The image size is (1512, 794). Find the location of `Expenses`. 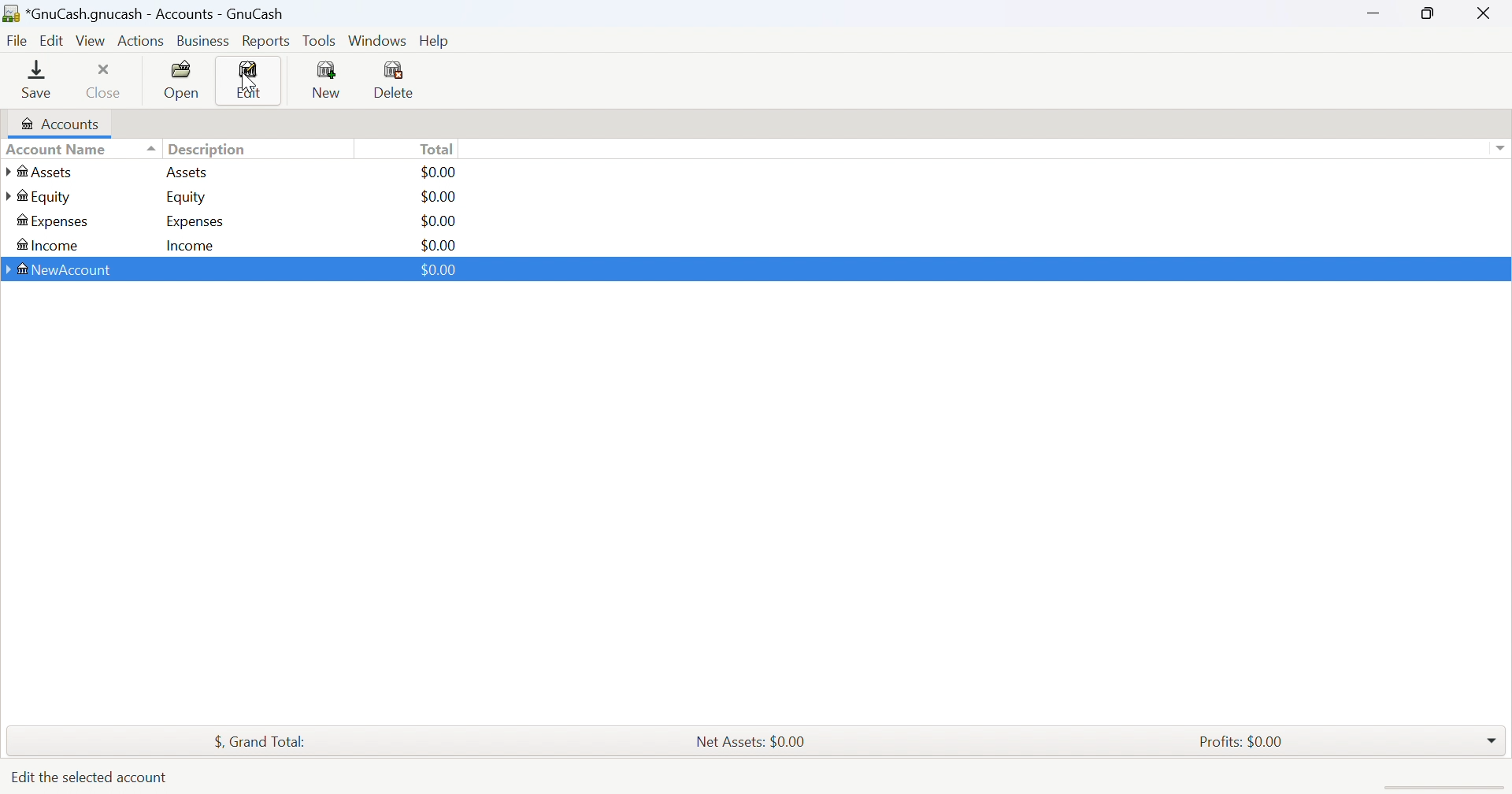

Expenses is located at coordinates (54, 222).